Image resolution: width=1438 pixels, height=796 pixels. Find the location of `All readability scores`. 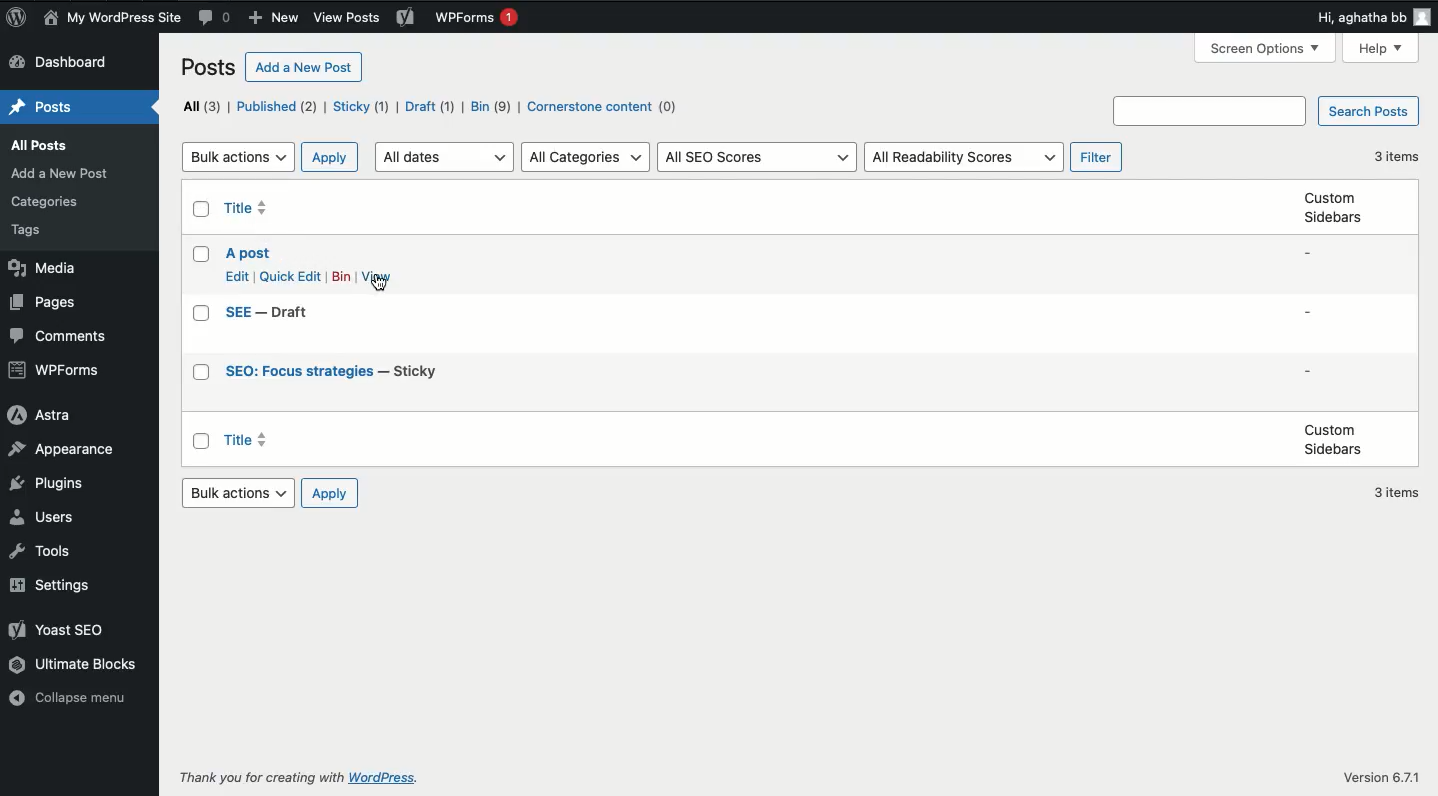

All readability scores is located at coordinates (962, 158).